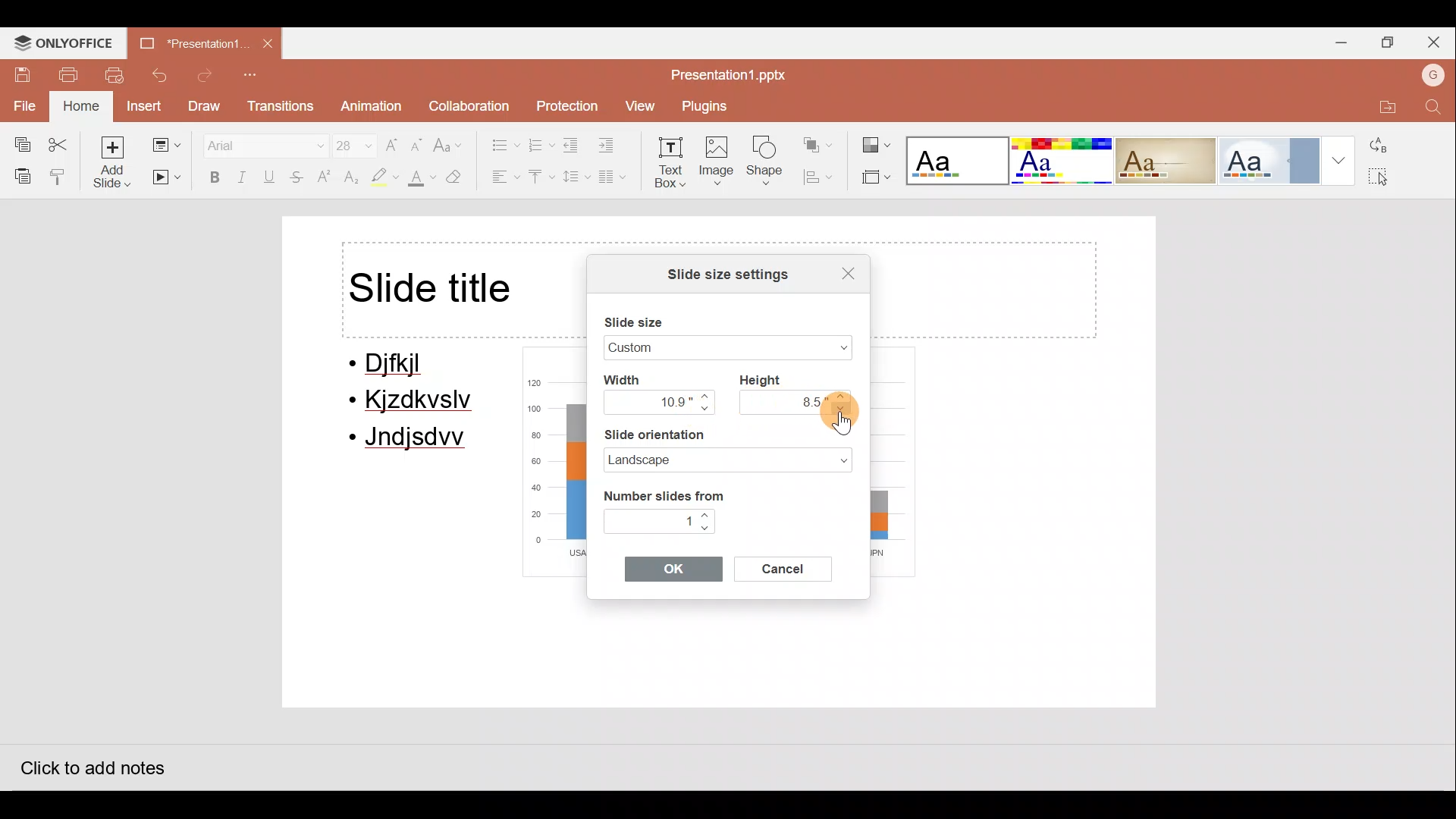 This screenshot has height=819, width=1456. What do you see at coordinates (59, 176) in the screenshot?
I see `Copy style` at bounding box center [59, 176].